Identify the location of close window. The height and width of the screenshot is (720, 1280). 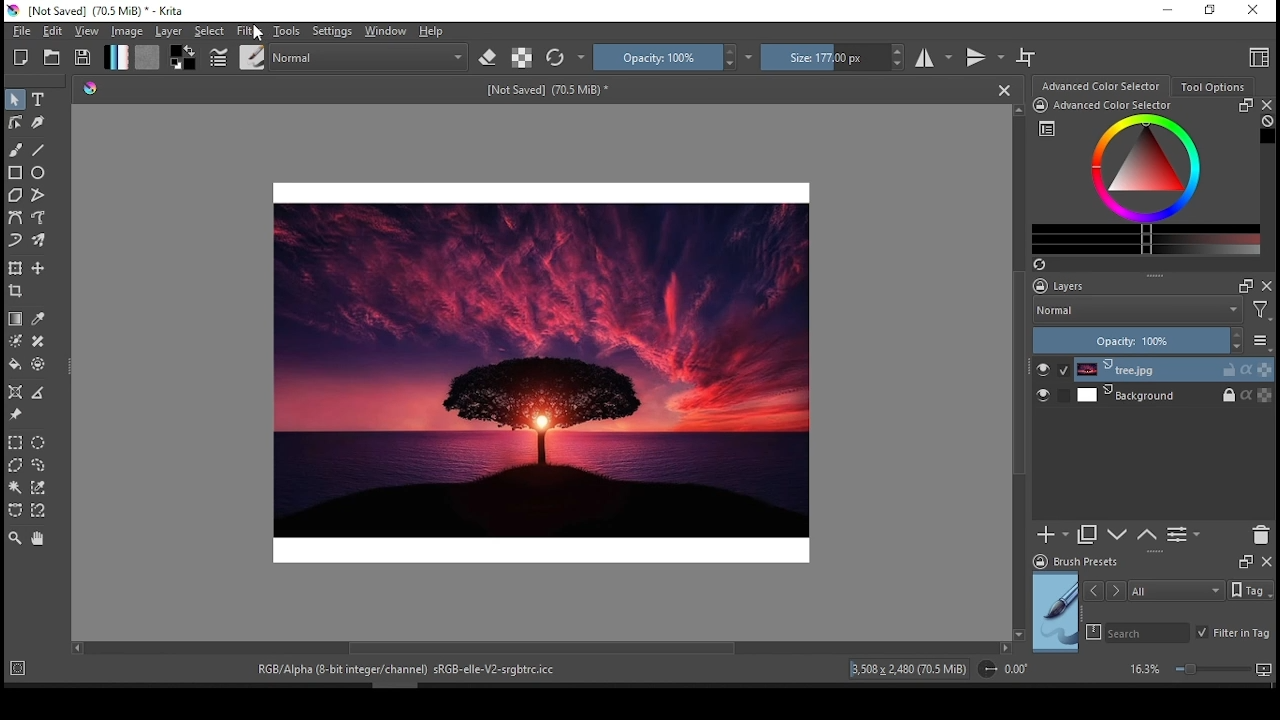
(1251, 12).